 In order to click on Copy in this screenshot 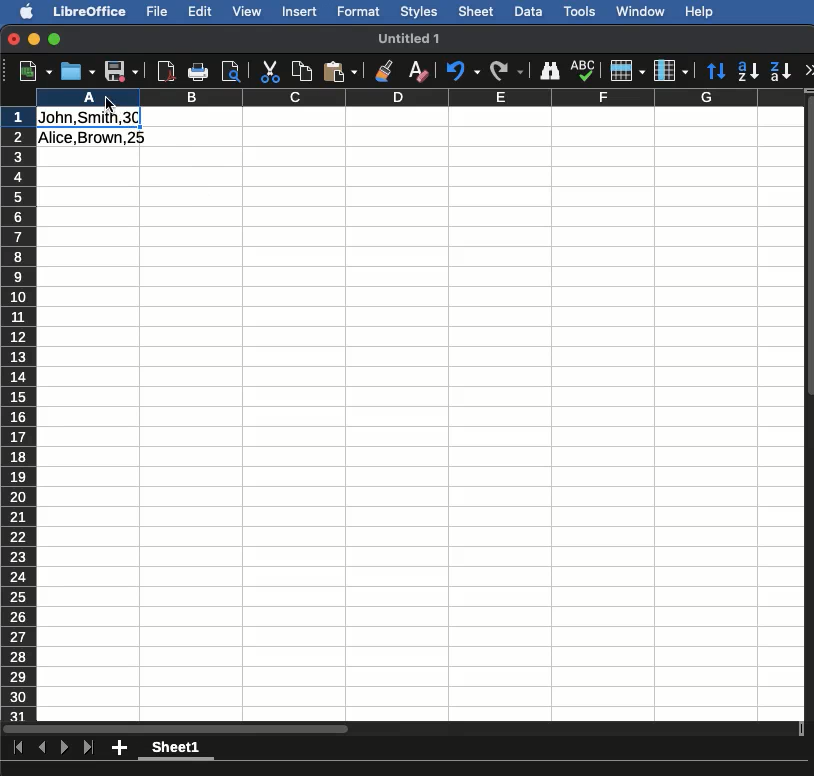, I will do `click(305, 69)`.